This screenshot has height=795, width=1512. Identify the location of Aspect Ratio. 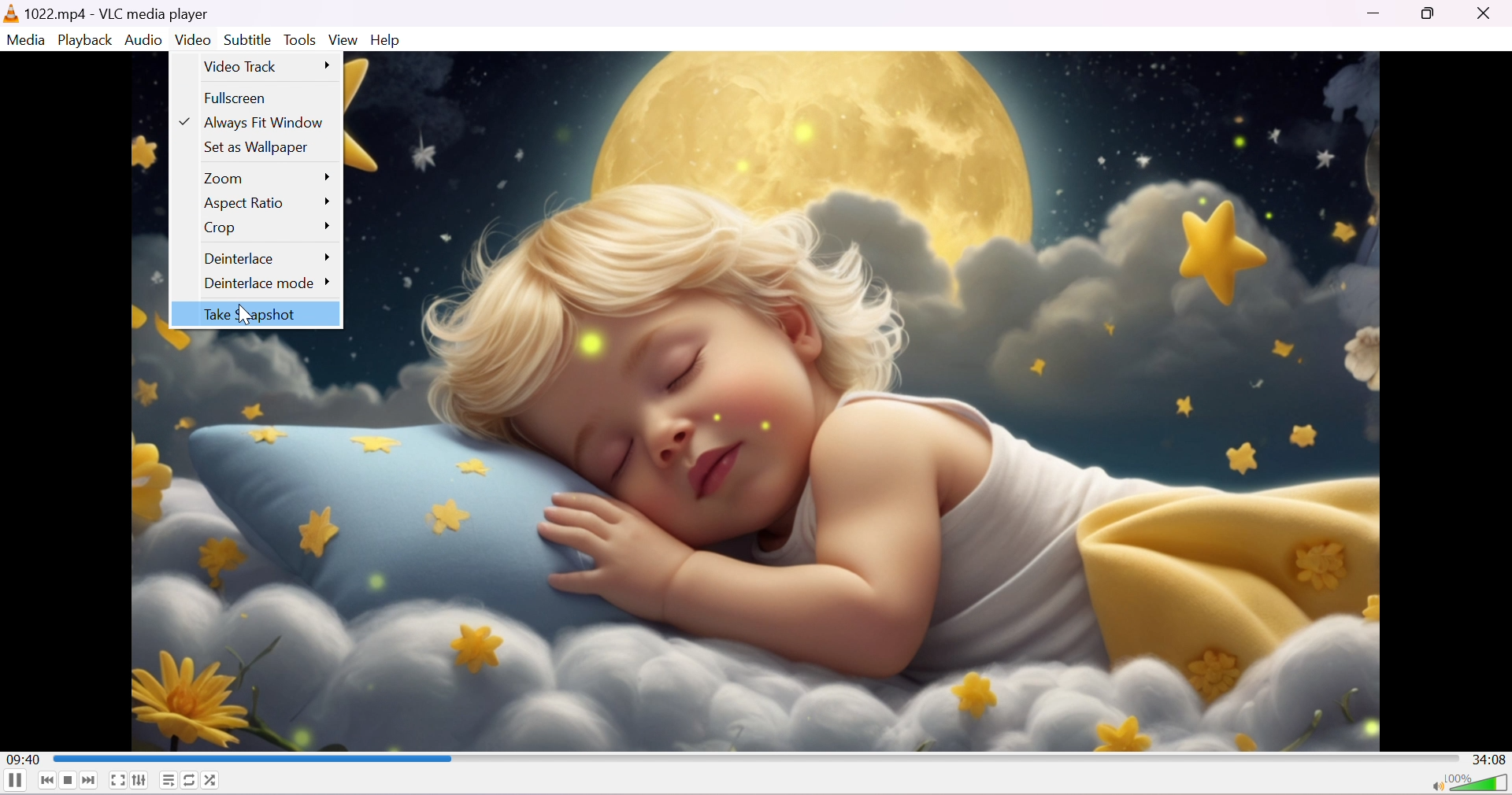
(265, 203).